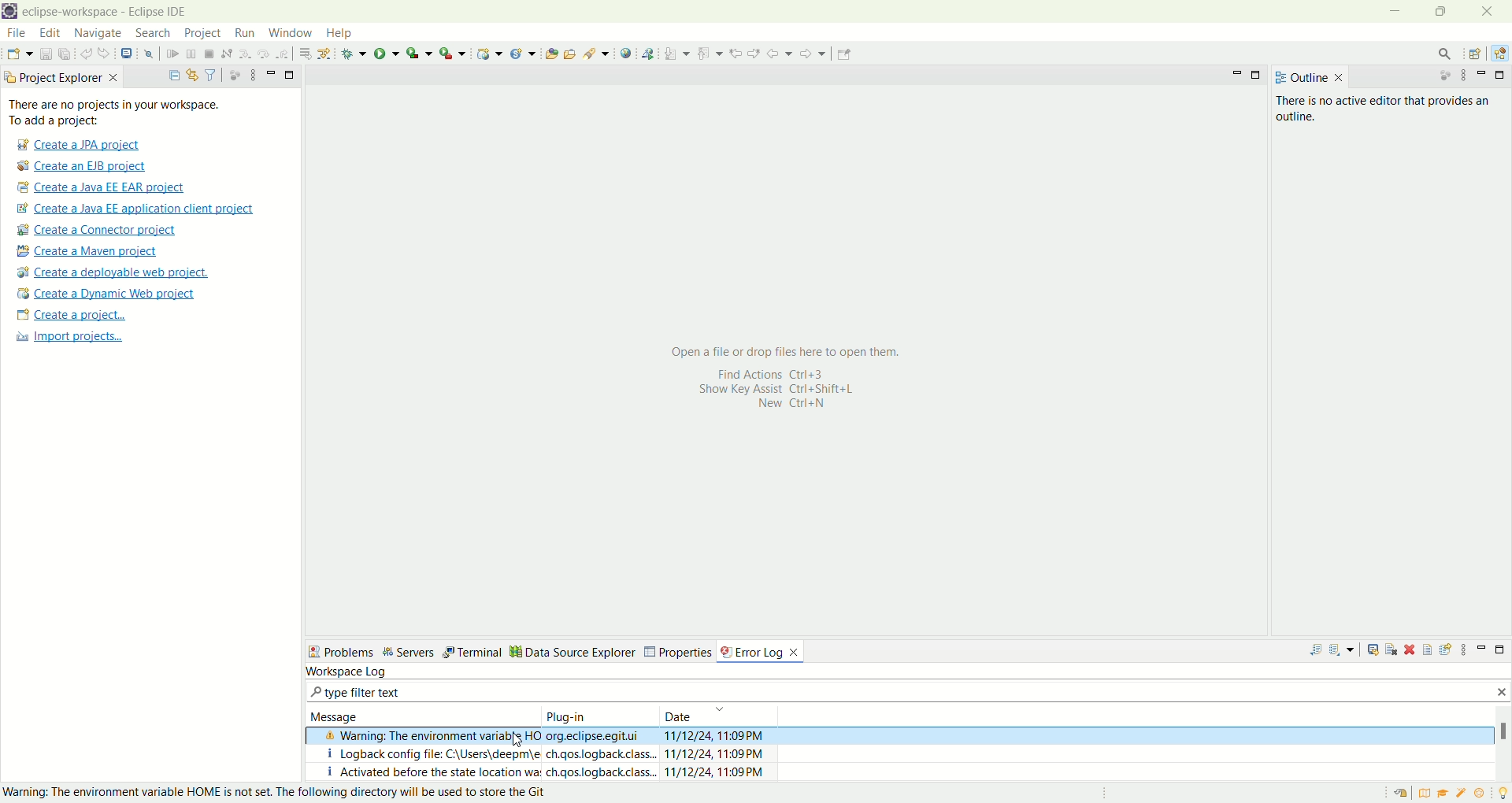 The width and height of the screenshot is (1512, 803). What do you see at coordinates (647, 54) in the screenshot?
I see `launch the web service explorer` at bounding box center [647, 54].